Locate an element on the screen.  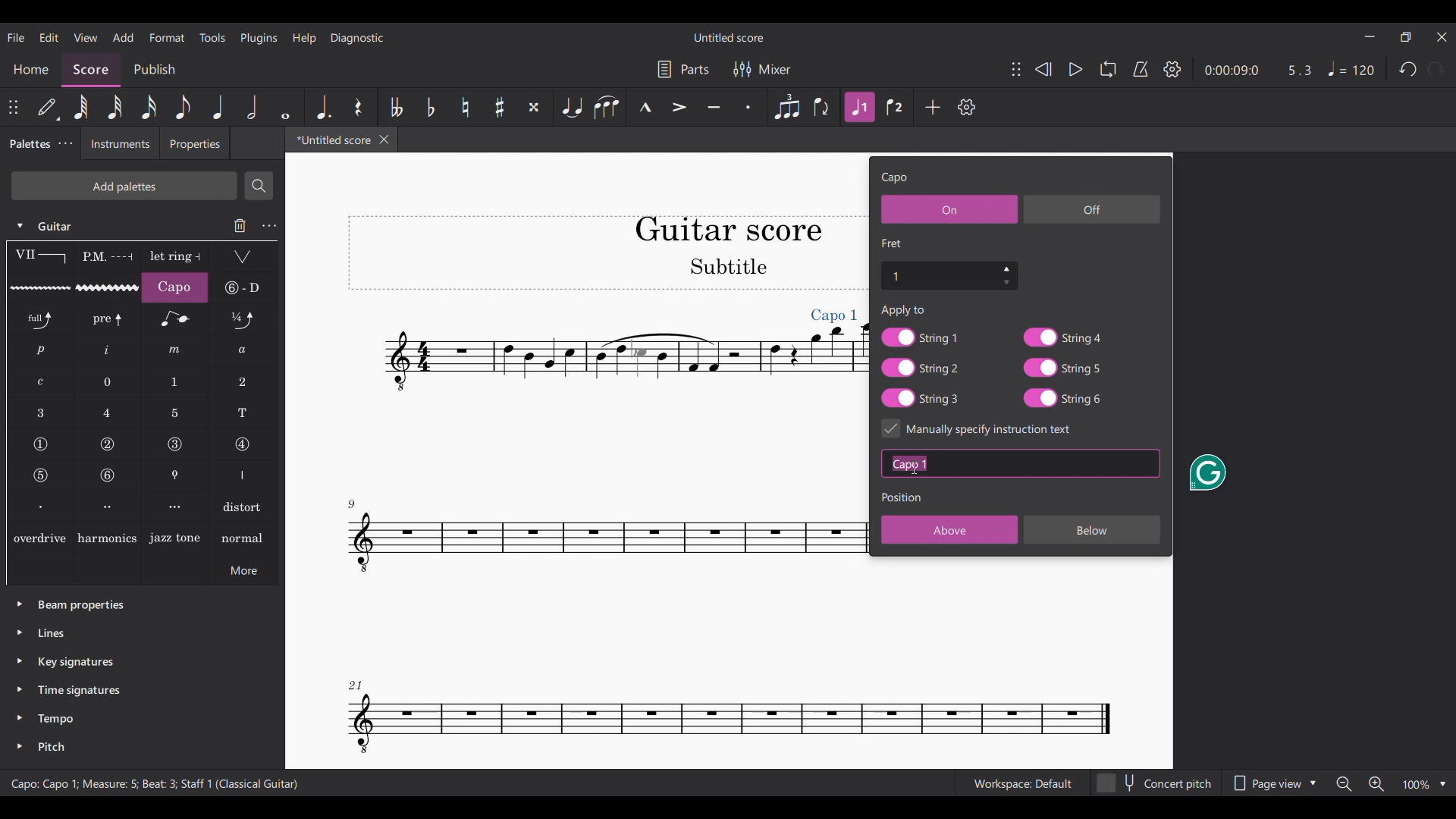
Indicates toggle on is located at coordinates (891, 428).